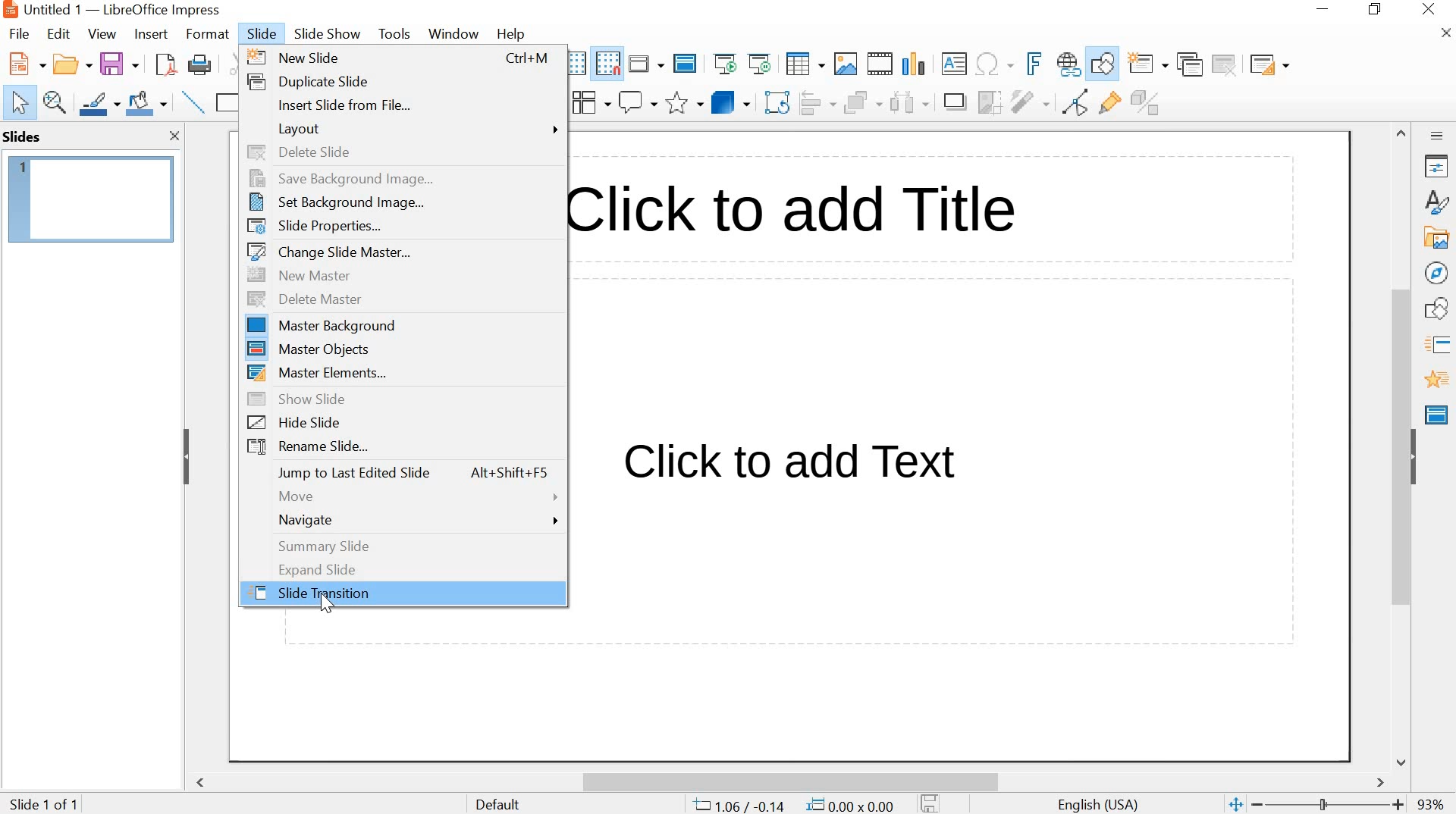 Image resolution: width=1456 pixels, height=814 pixels. I want to click on Duplicate slide, so click(1191, 64).